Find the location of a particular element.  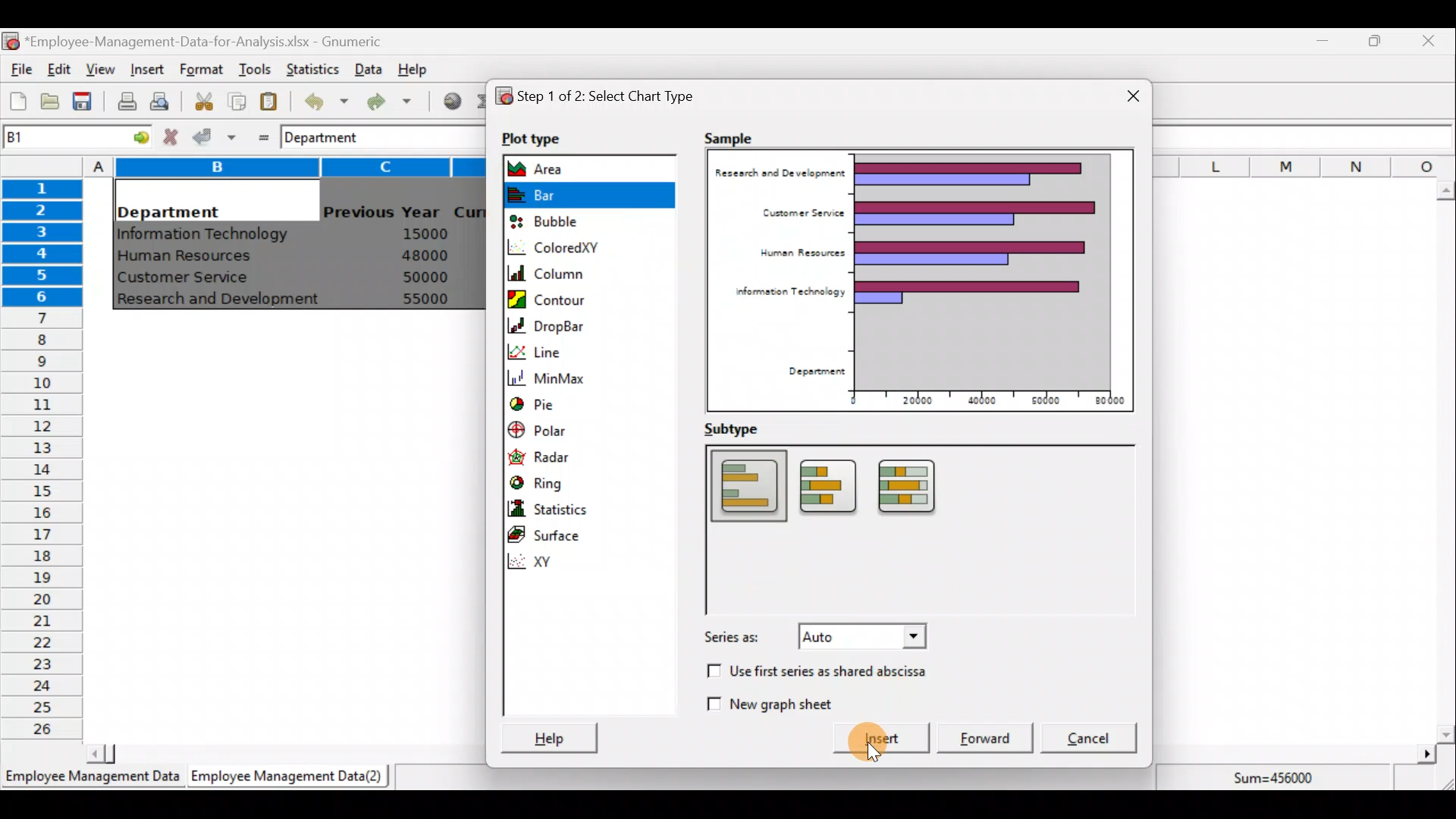

Column is located at coordinates (582, 274).